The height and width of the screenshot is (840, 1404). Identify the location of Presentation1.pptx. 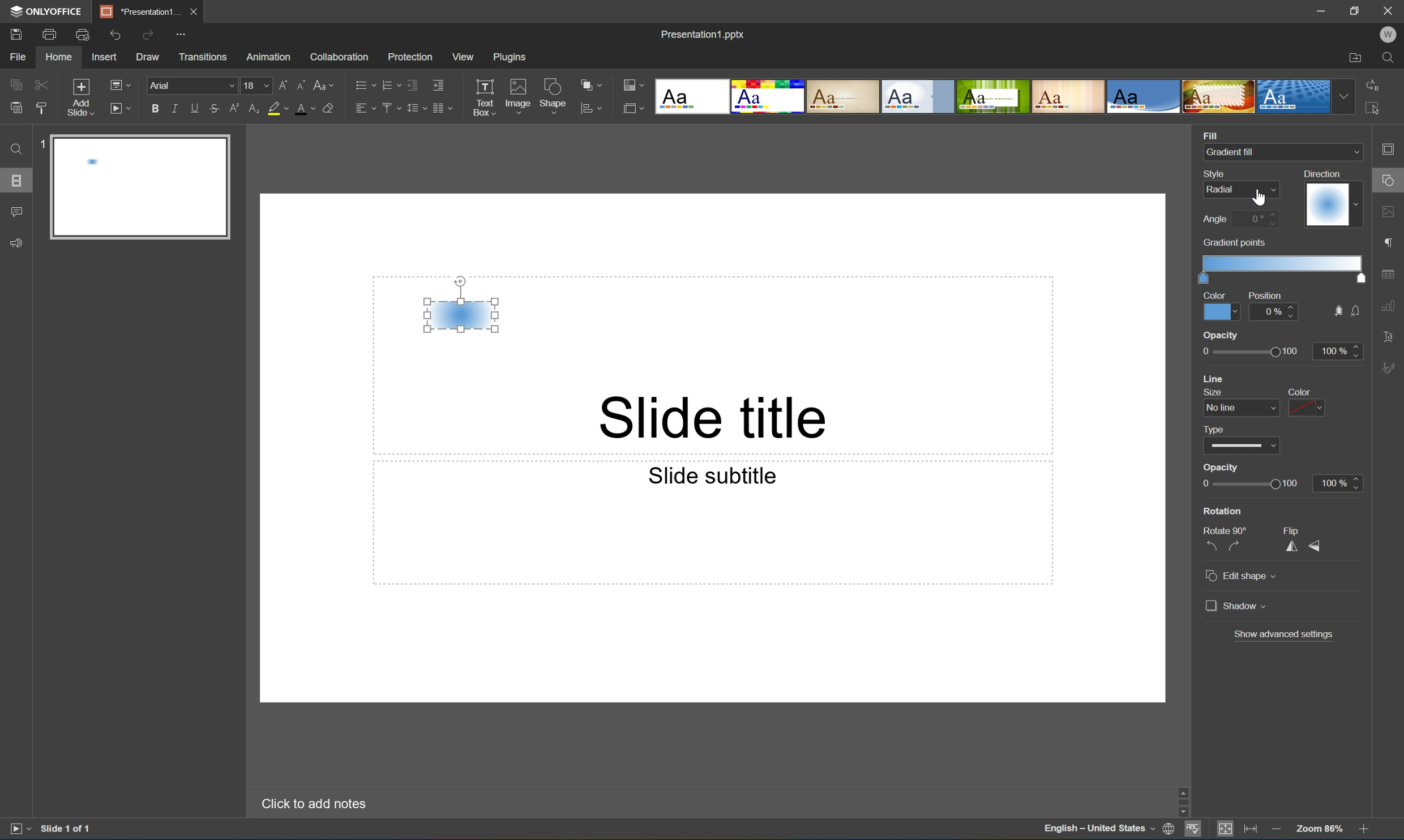
(701, 32).